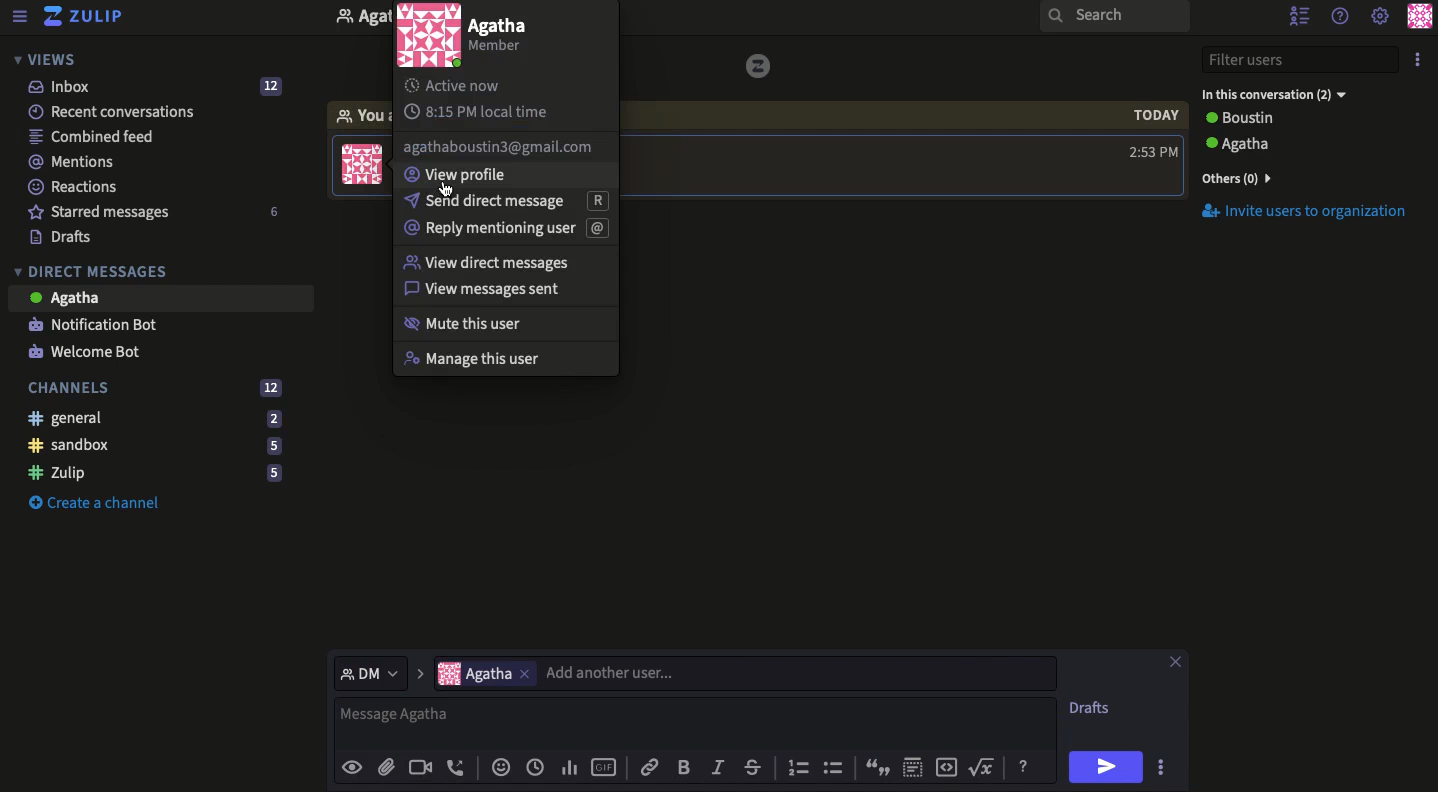 This screenshot has width=1438, height=792. Describe the element at coordinates (504, 227) in the screenshot. I see `Mention` at that location.